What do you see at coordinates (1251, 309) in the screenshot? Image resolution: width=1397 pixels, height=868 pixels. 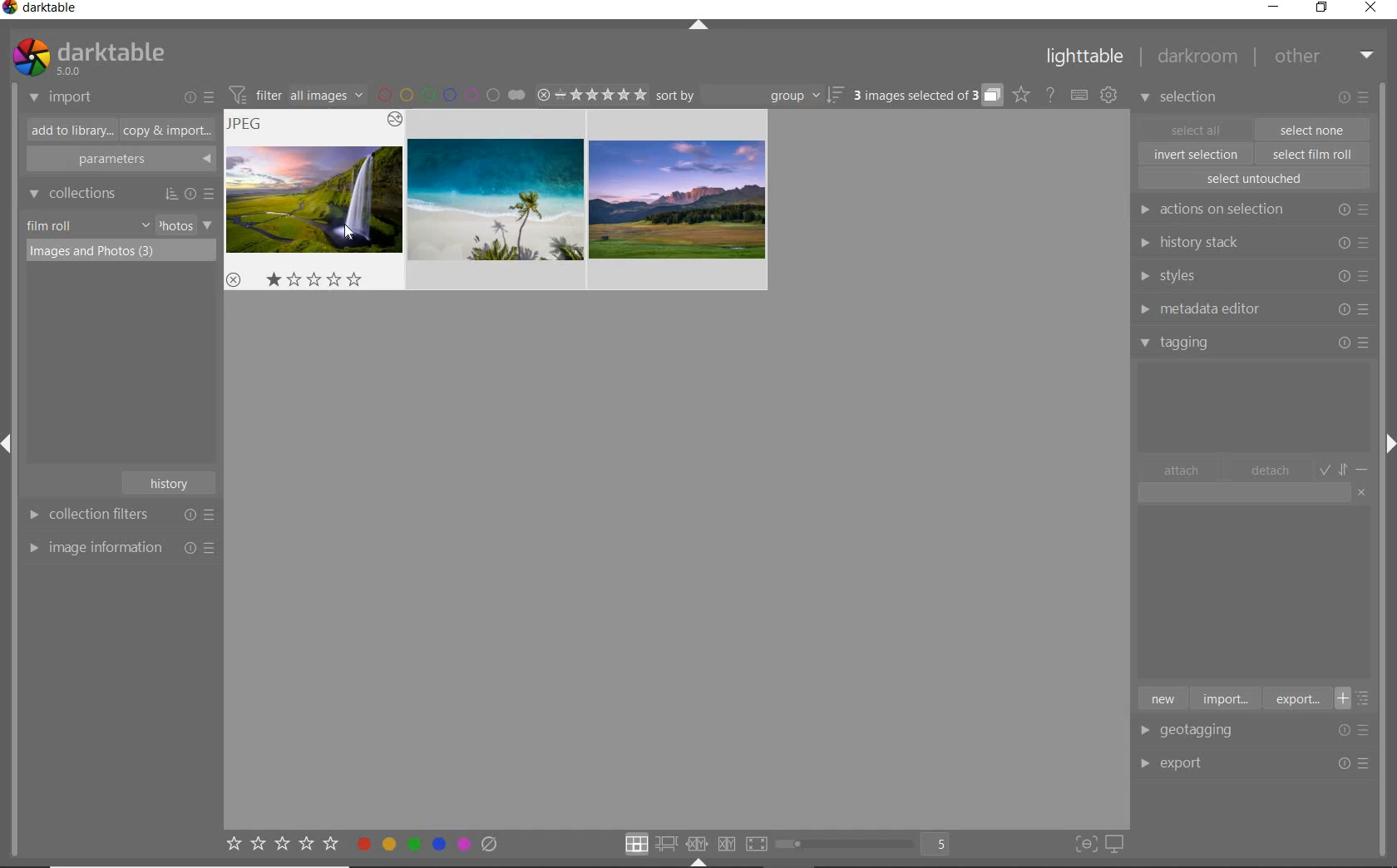 I see `metadata editor` at bounding box center [1251, 309].